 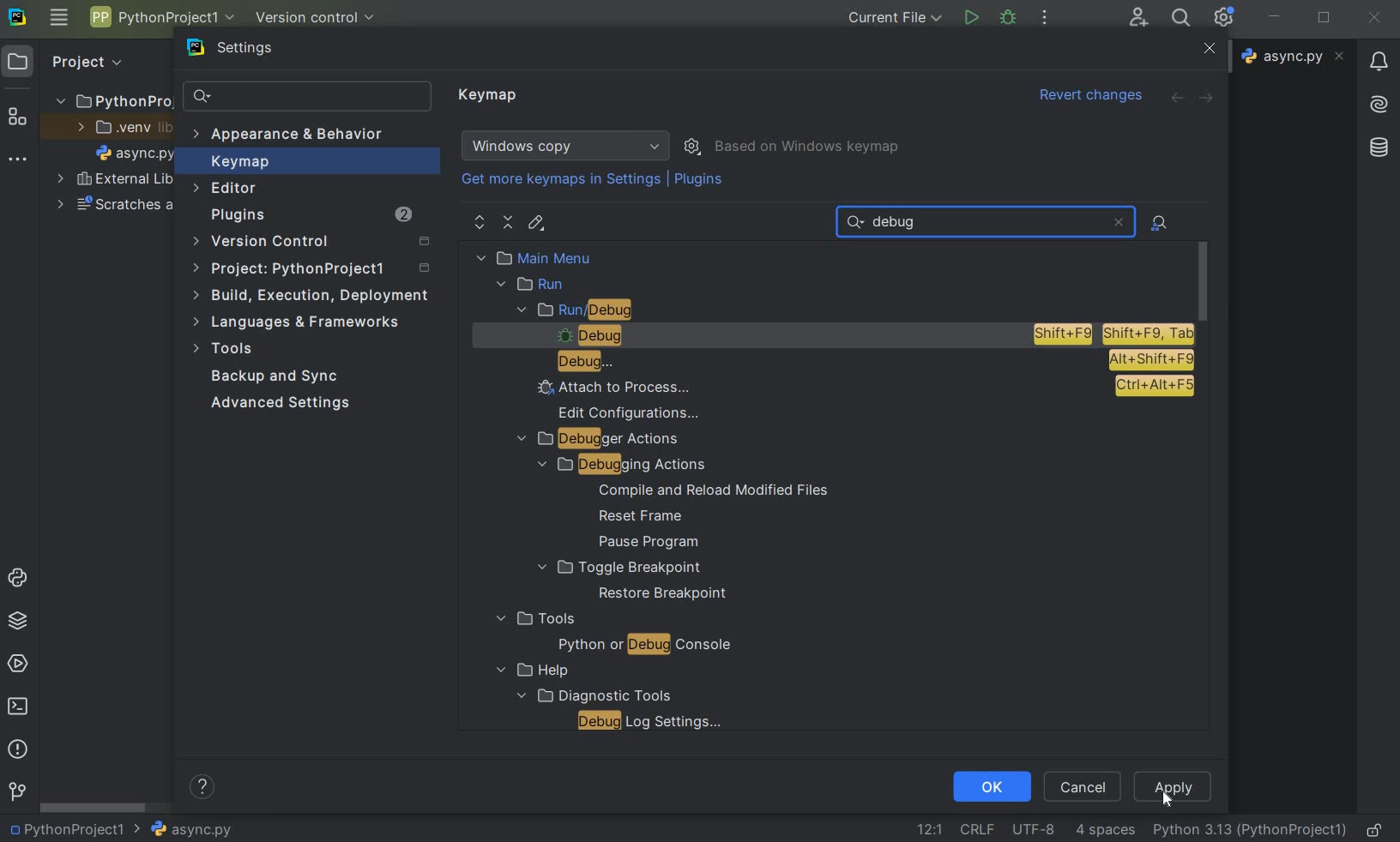 I want to click on forward, so click(x=1210, y=99).